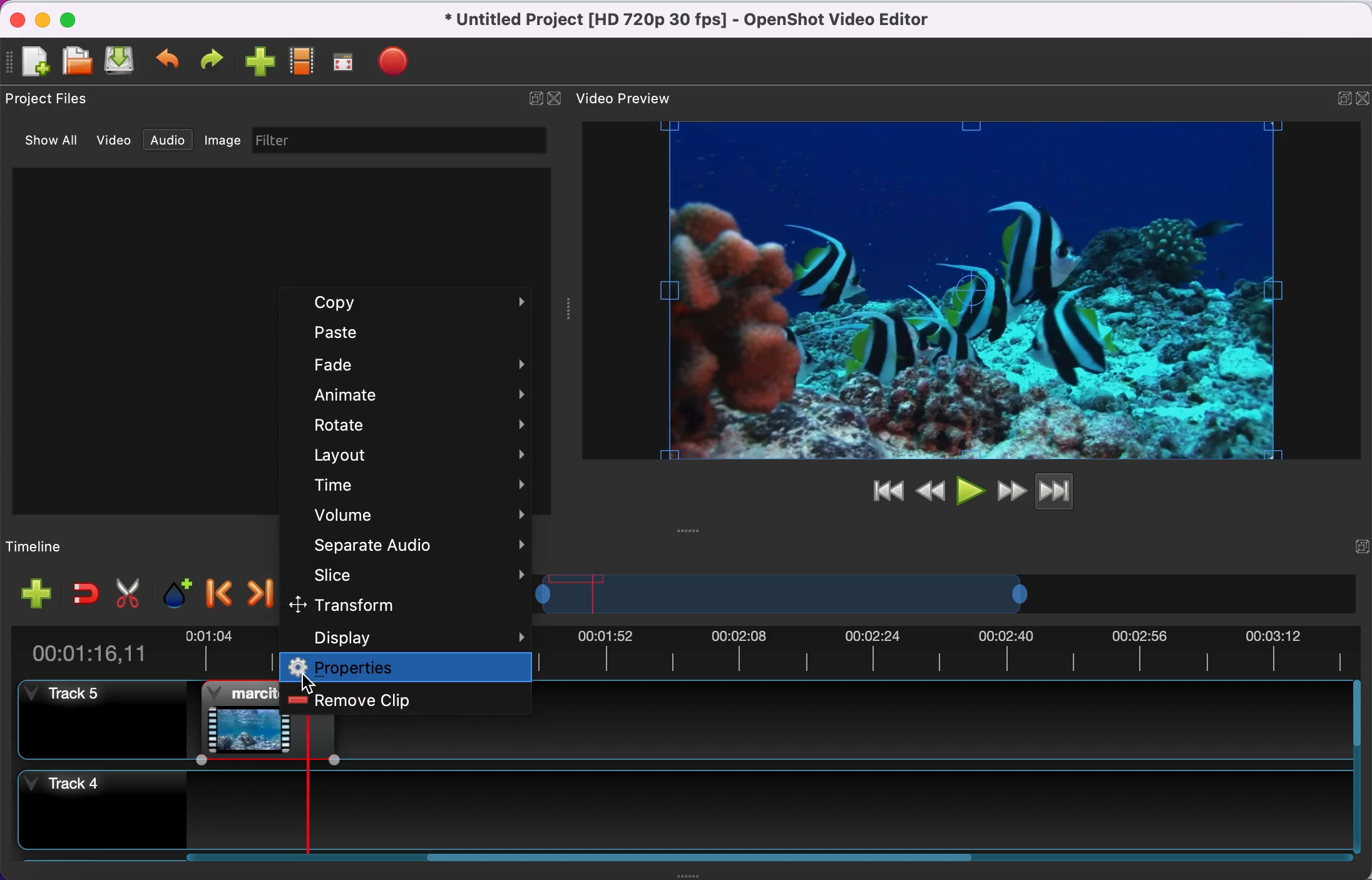  I want to click on jump to end, so click(1072, 489).